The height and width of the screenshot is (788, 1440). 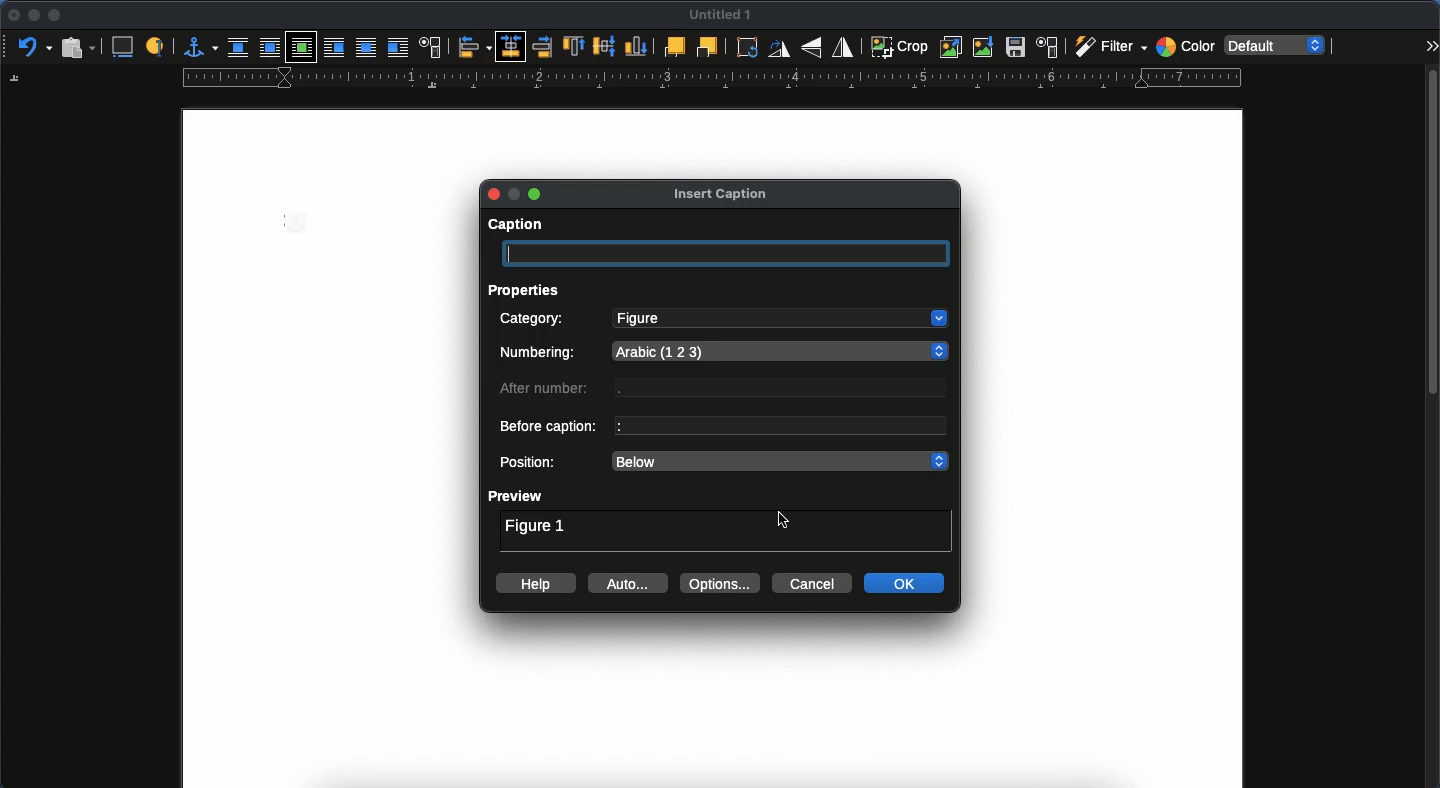 I want to click on paste, so click(x=79, y=47).